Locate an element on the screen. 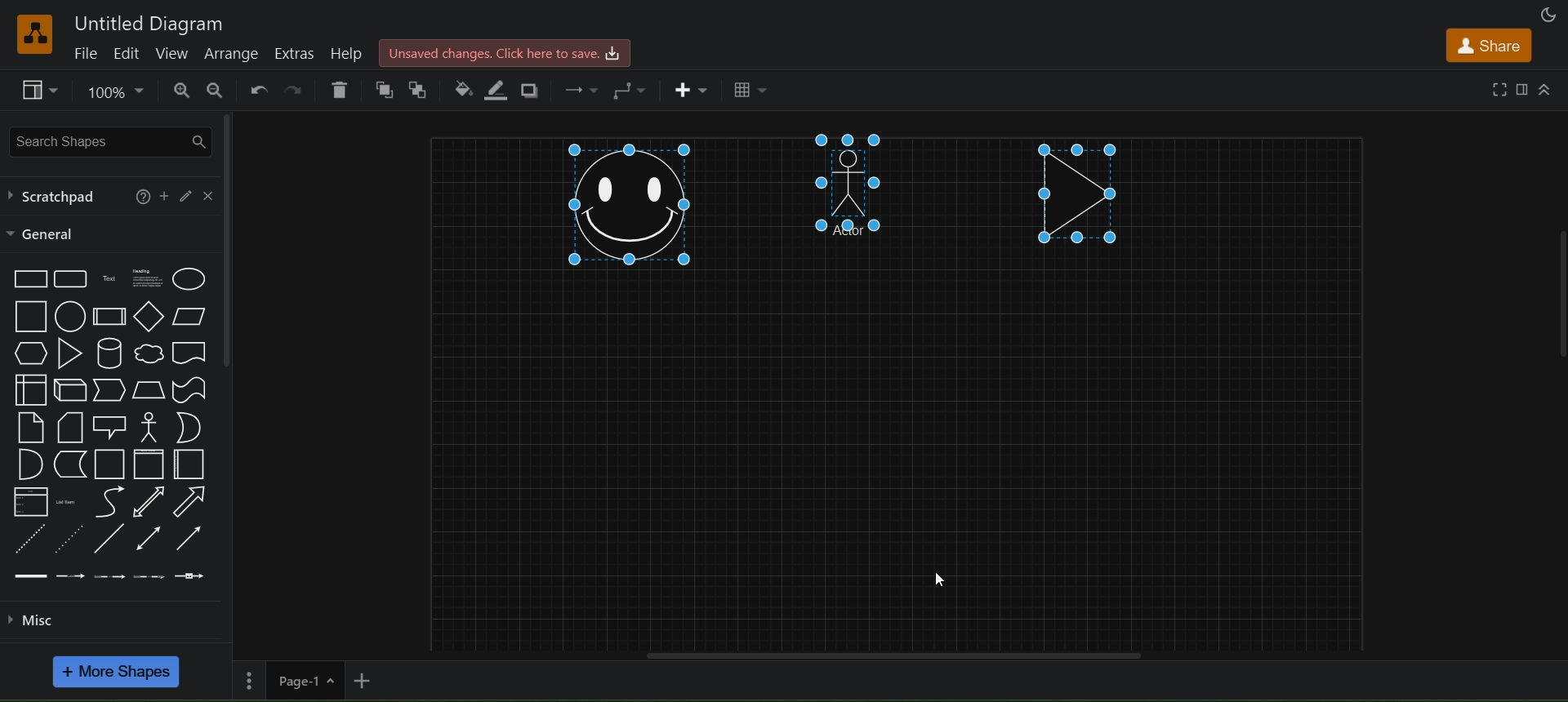  cube is located at coordinates (67, 389).